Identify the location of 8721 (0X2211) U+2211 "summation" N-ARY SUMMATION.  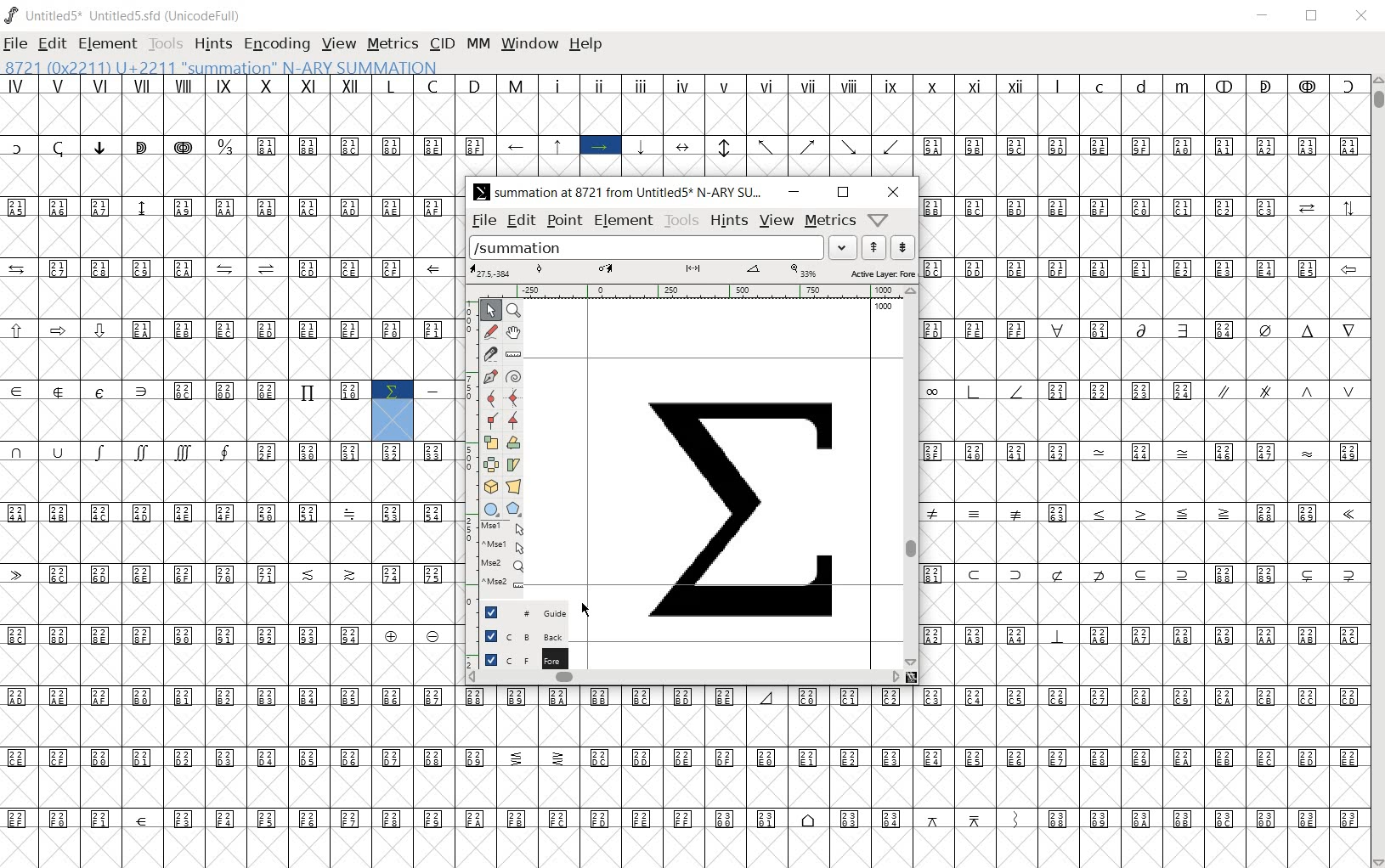
(221, 66).